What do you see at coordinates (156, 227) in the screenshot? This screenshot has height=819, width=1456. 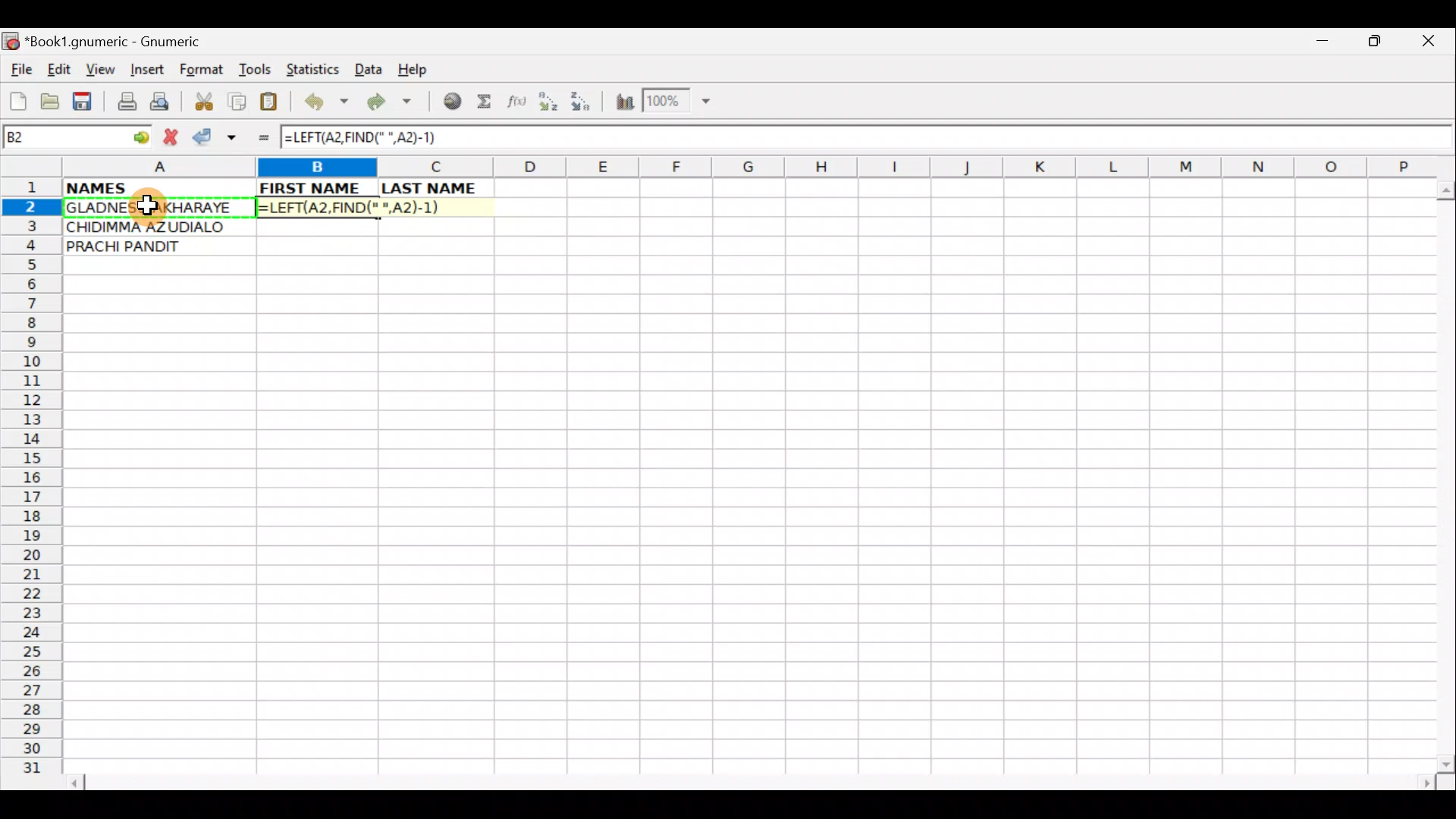 I see `CHIDIMMA AZUDIALO` at bounding box center [156, 227].